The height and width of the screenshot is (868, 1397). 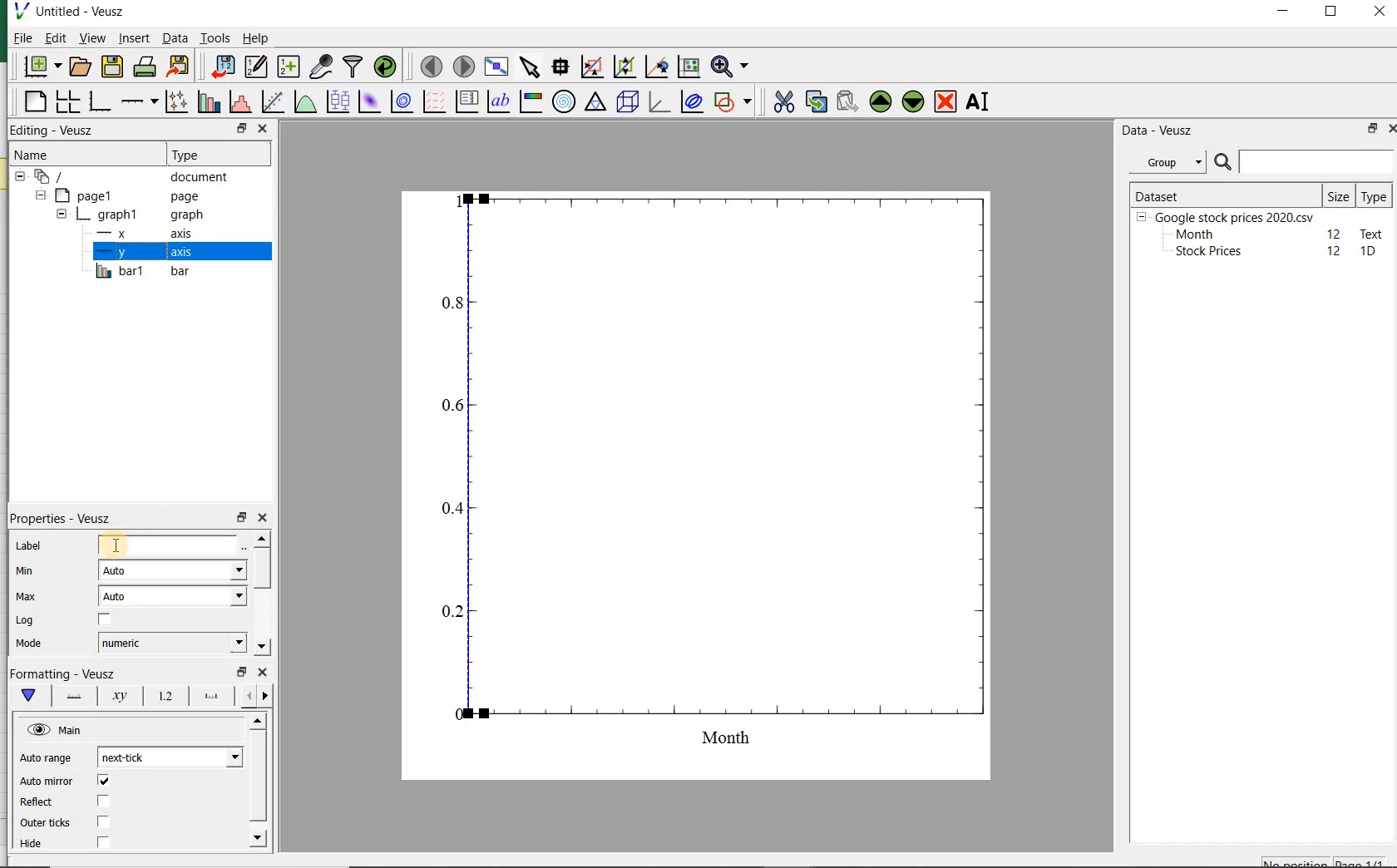 I want to click on reload linked datasets, so click(x=388, y=67).